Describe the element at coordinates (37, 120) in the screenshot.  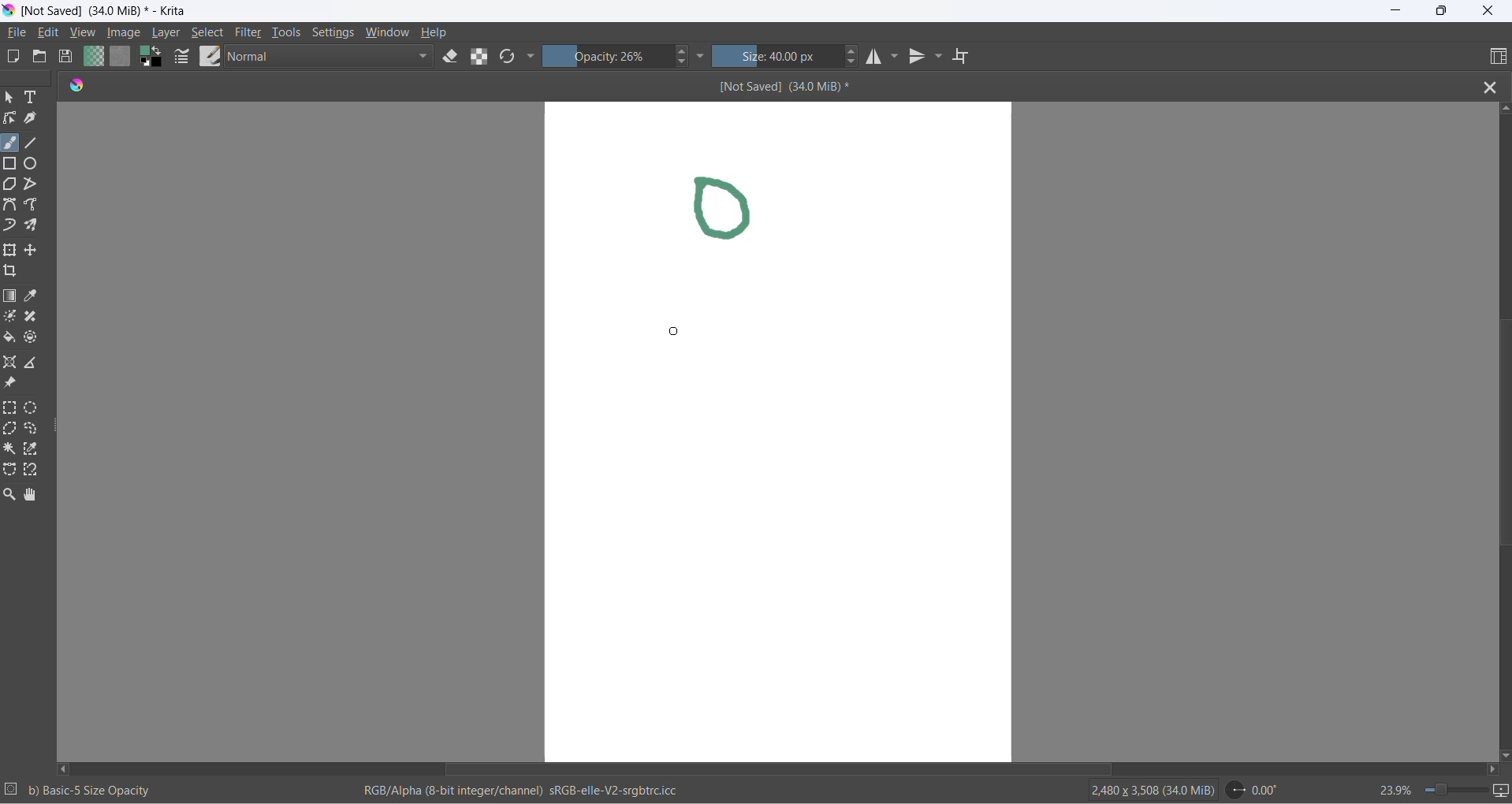
I see `calligraphy` at that location.